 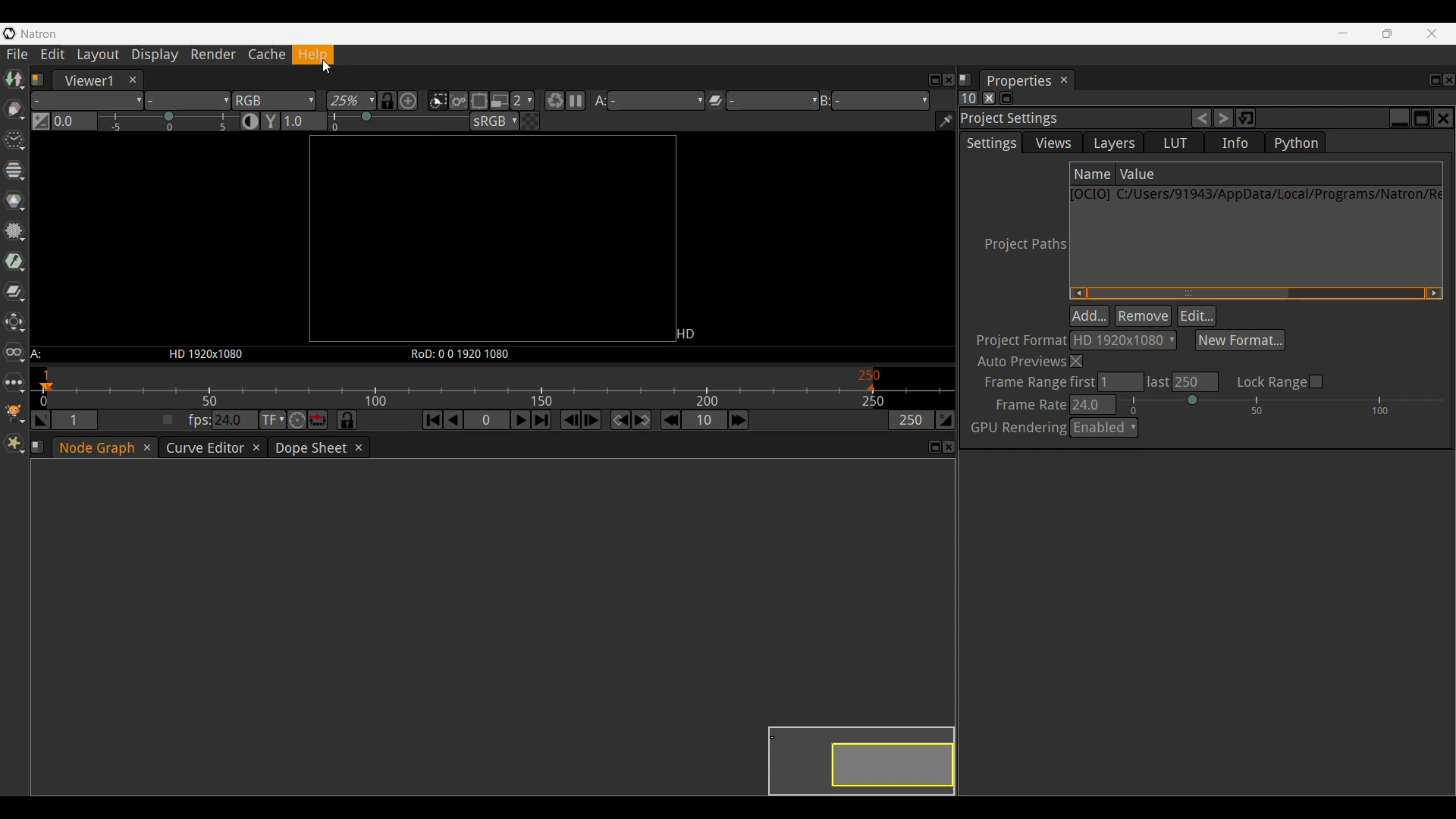 I want to click on Viewer gamma correction level, so click(x=400, y=119).